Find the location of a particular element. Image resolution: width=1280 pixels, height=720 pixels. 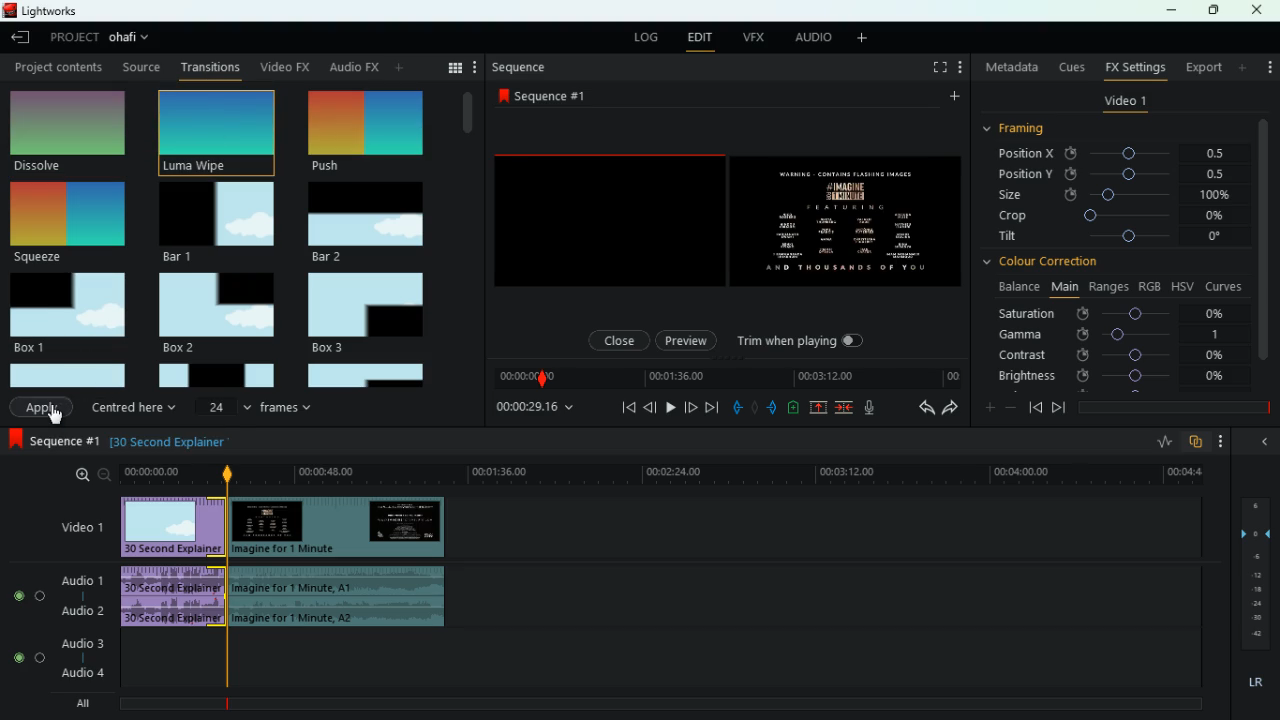

dissolve is located at coordinates (69, 133).